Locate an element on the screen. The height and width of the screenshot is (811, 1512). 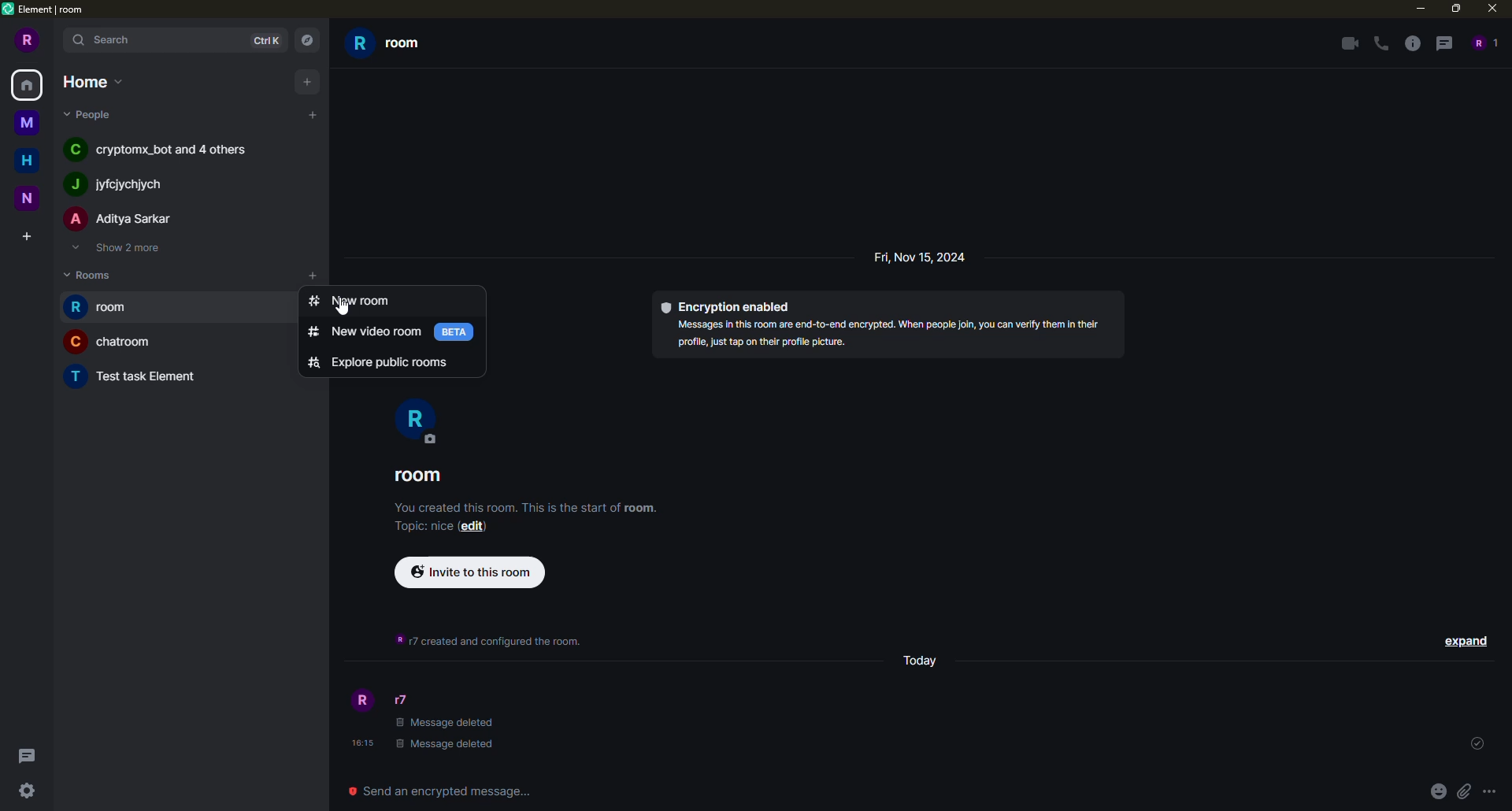
home is located at coordinates (31, 161).